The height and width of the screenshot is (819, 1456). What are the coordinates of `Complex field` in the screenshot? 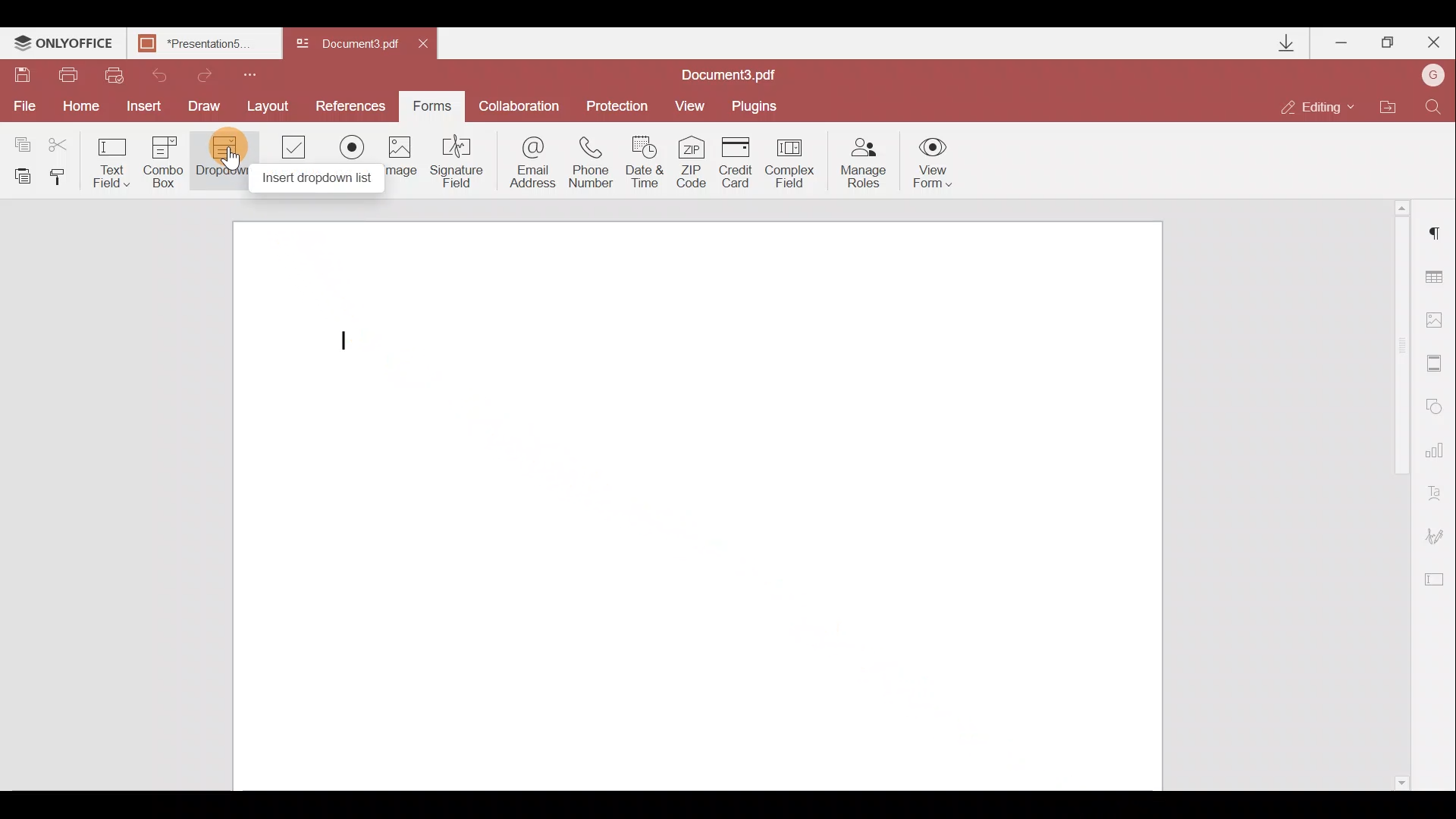 It's located at (792, 162).